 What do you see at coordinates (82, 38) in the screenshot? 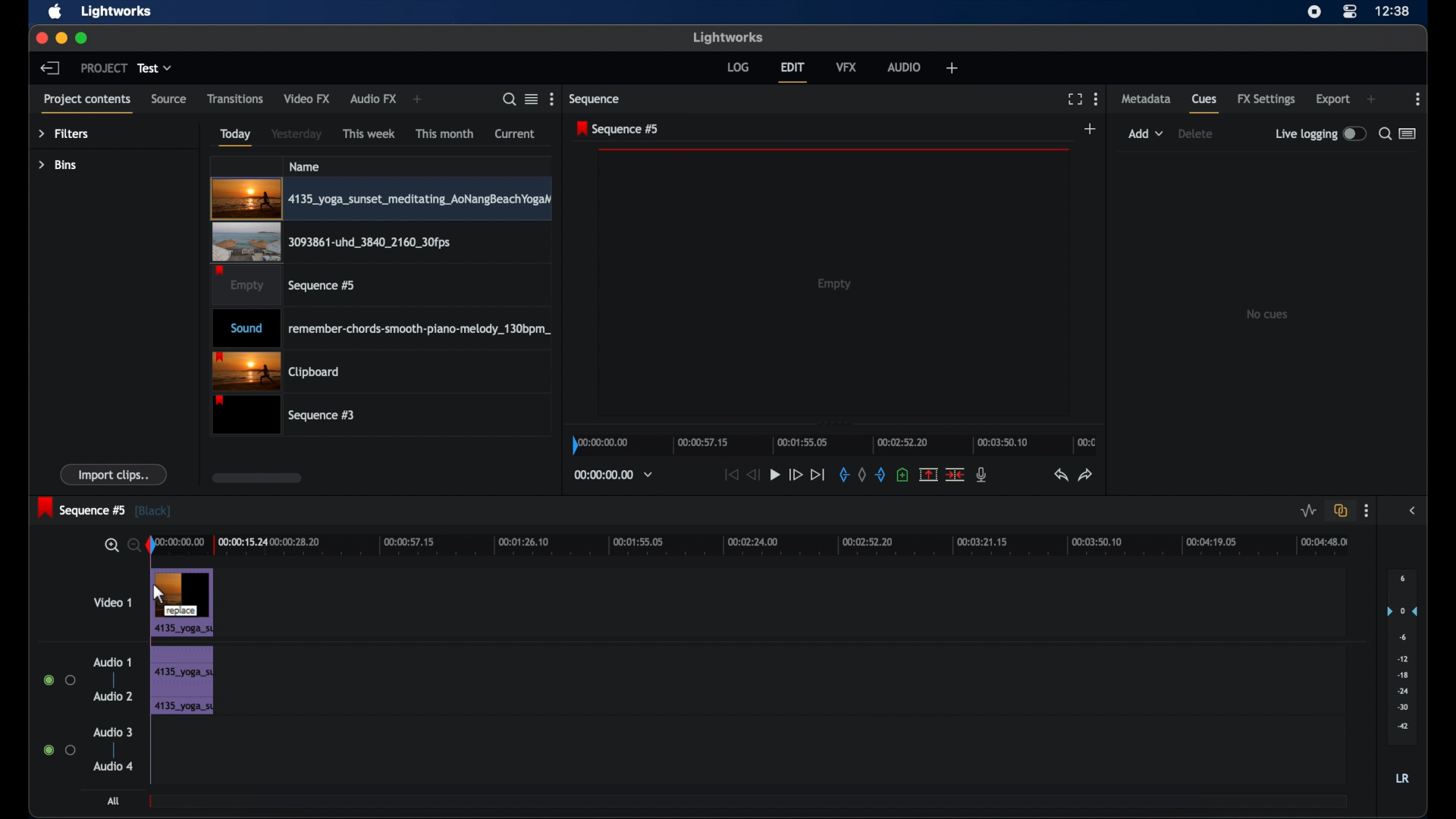
I see `maximize` at bounding box center [82, 38].